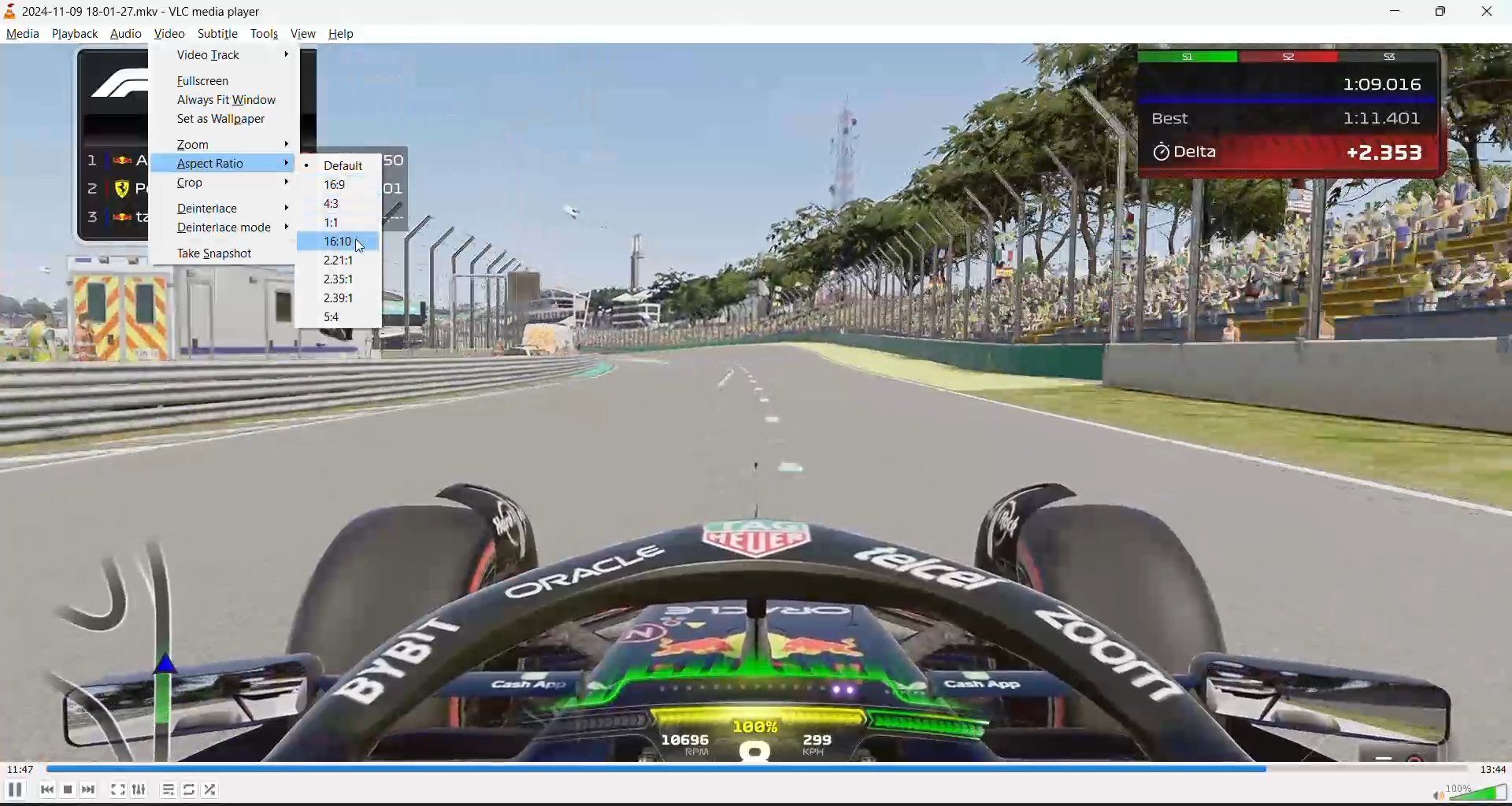  What do you see at coordinates (302, 33) in the screenshot?
I see `vibe` at bounding box center [302, 33].